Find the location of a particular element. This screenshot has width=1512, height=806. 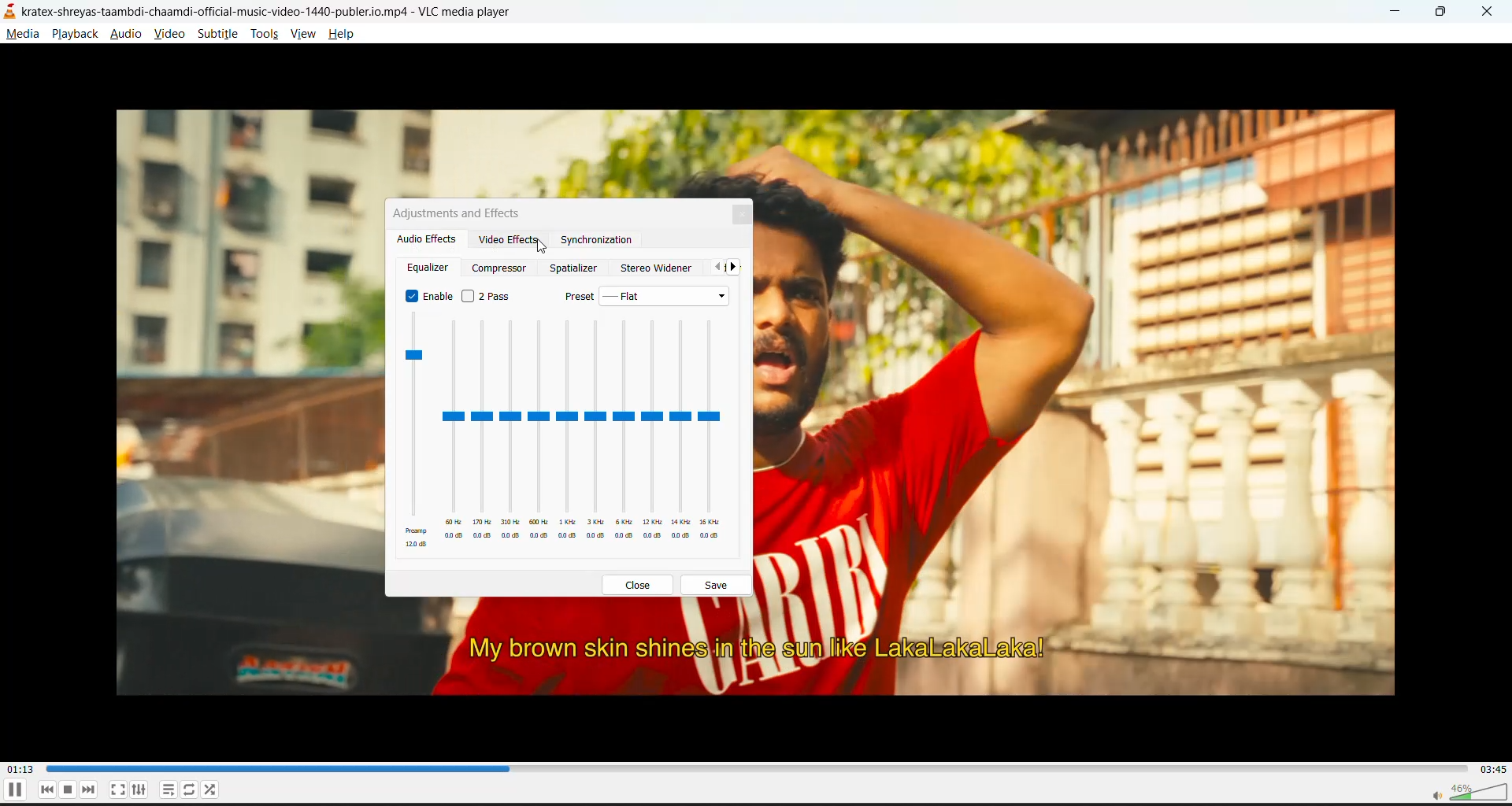

video is located at coordinates (171, 34).